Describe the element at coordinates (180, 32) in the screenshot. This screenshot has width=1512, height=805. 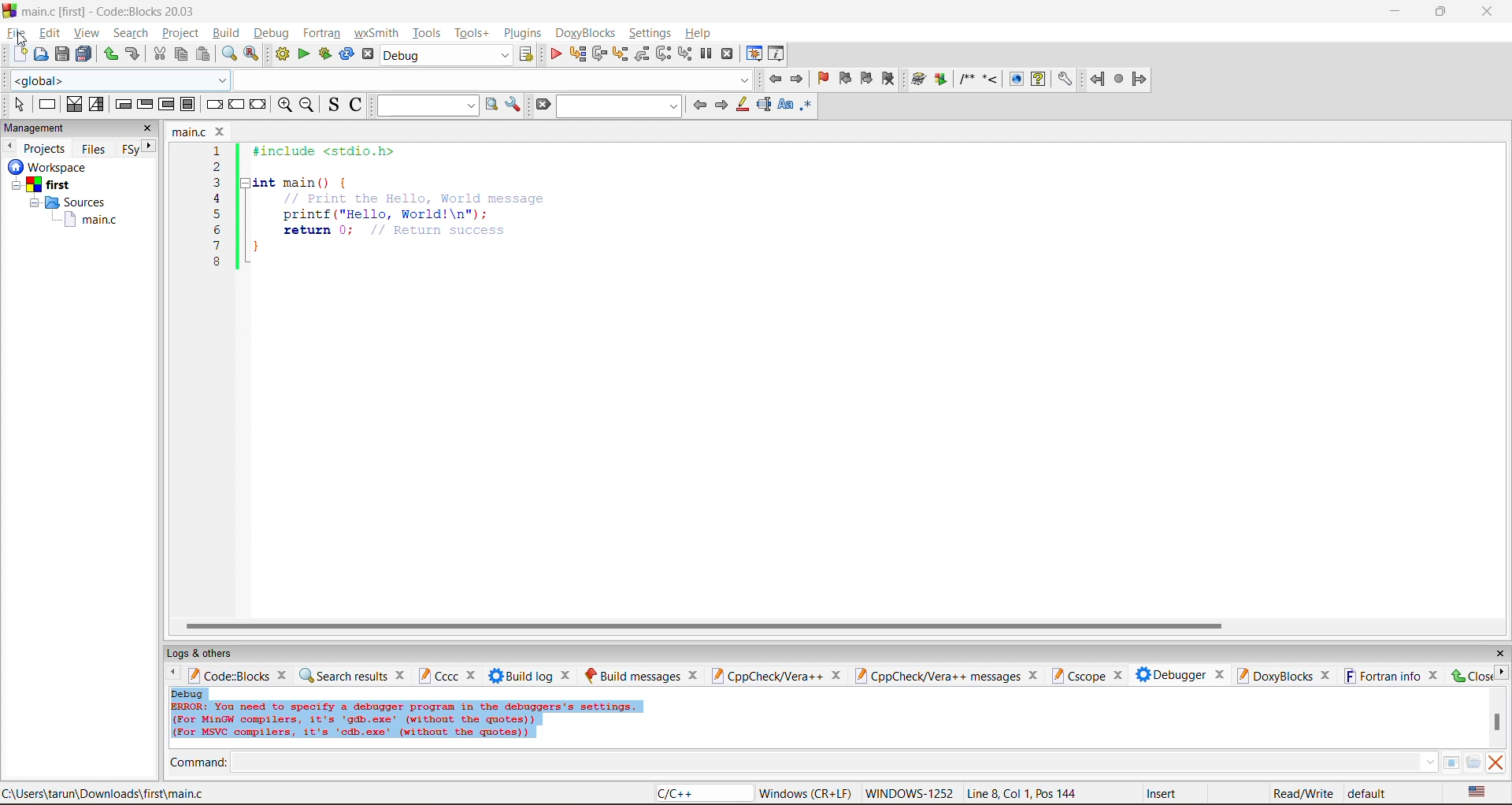
I see `project` at that location.